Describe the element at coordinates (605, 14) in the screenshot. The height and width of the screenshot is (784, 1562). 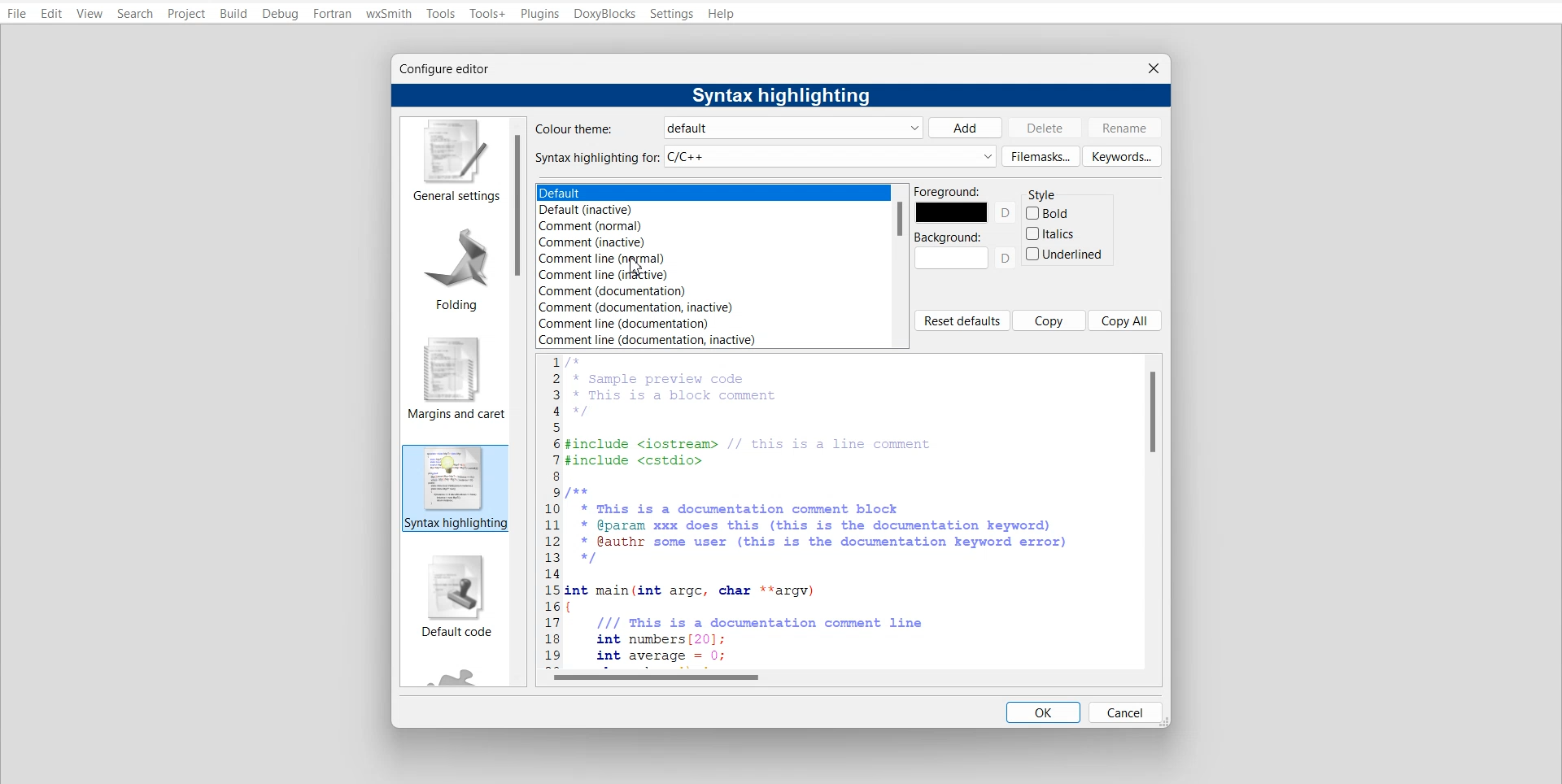
I see `DoxyBlocks` at that location.